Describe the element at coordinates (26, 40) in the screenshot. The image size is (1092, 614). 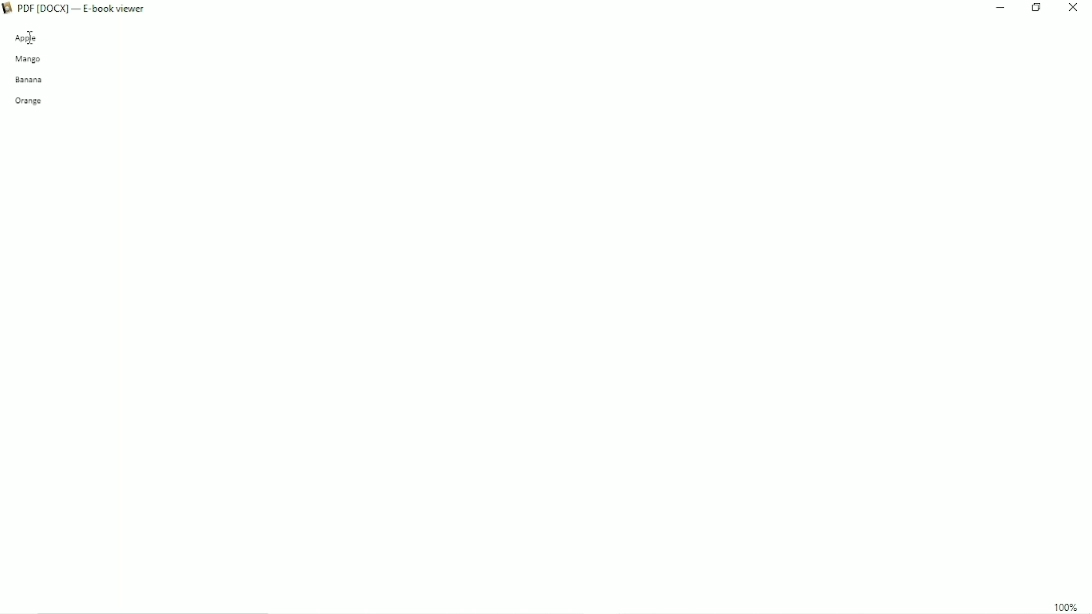
I see `apple` at that location.